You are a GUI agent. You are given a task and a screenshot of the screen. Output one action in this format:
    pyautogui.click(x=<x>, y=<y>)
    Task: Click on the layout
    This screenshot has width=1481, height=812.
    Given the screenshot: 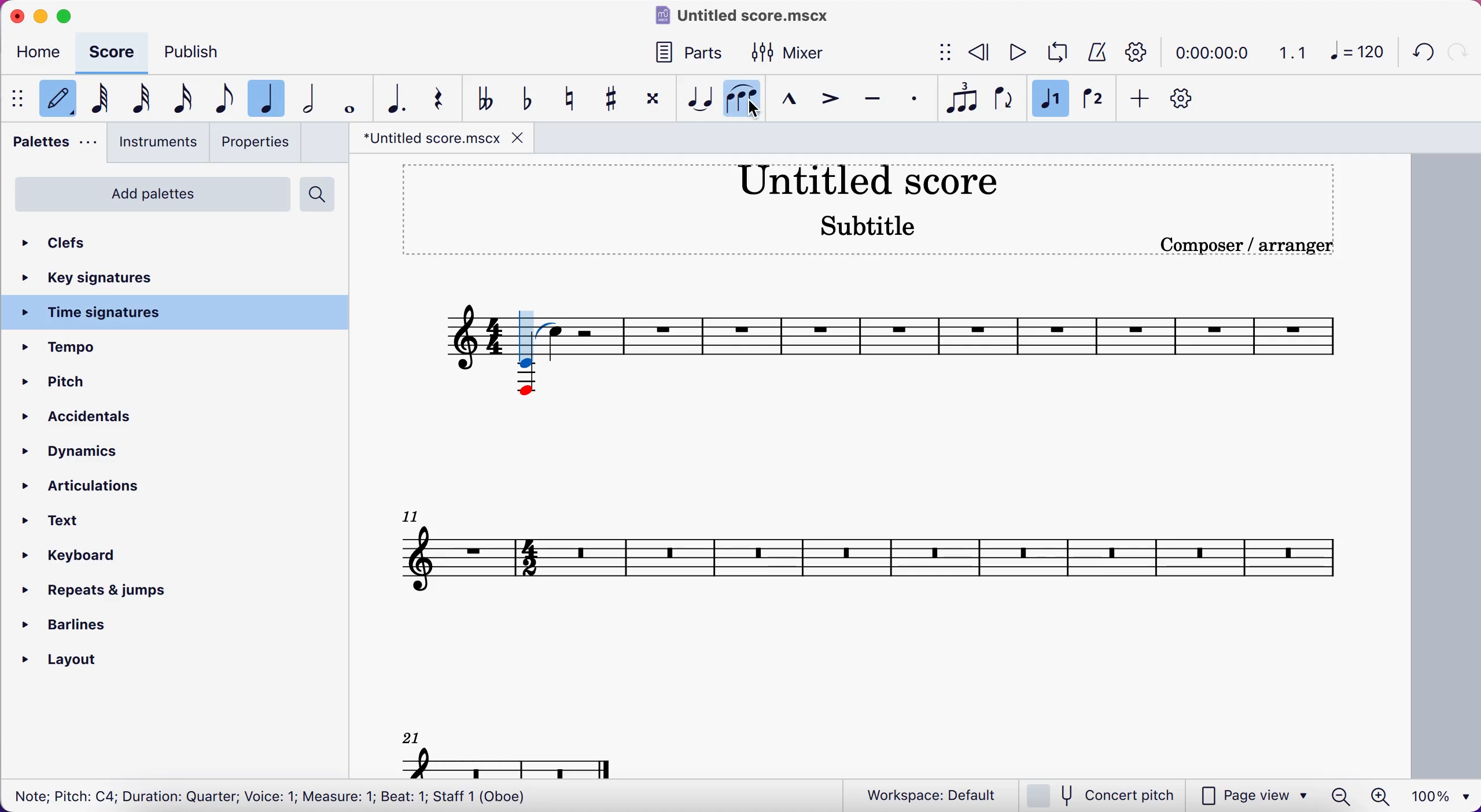 What is the action you would take?
    pyautogui.click(x=85, y=662)
    